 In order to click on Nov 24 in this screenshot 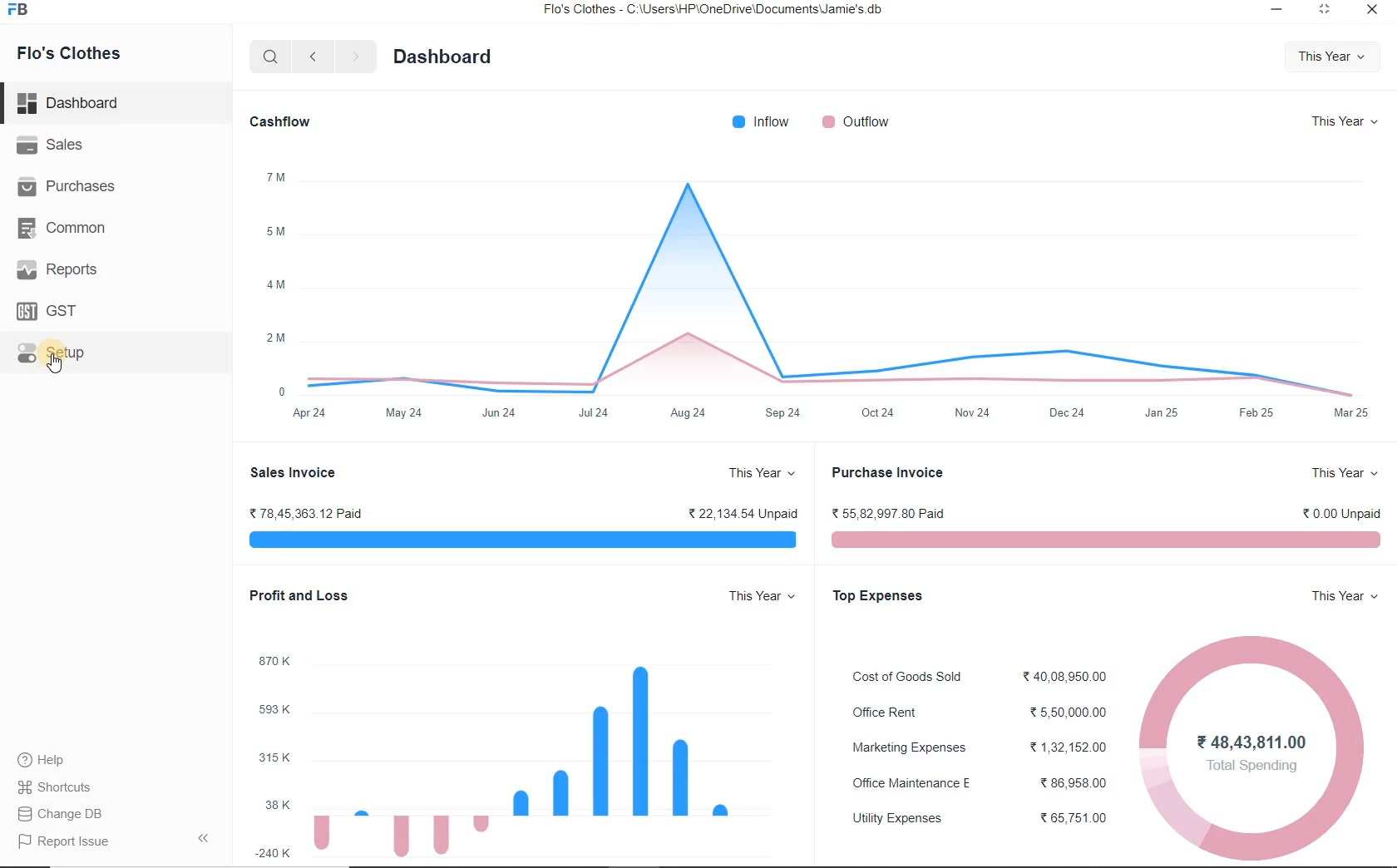, I will do `click(976, 414)`.